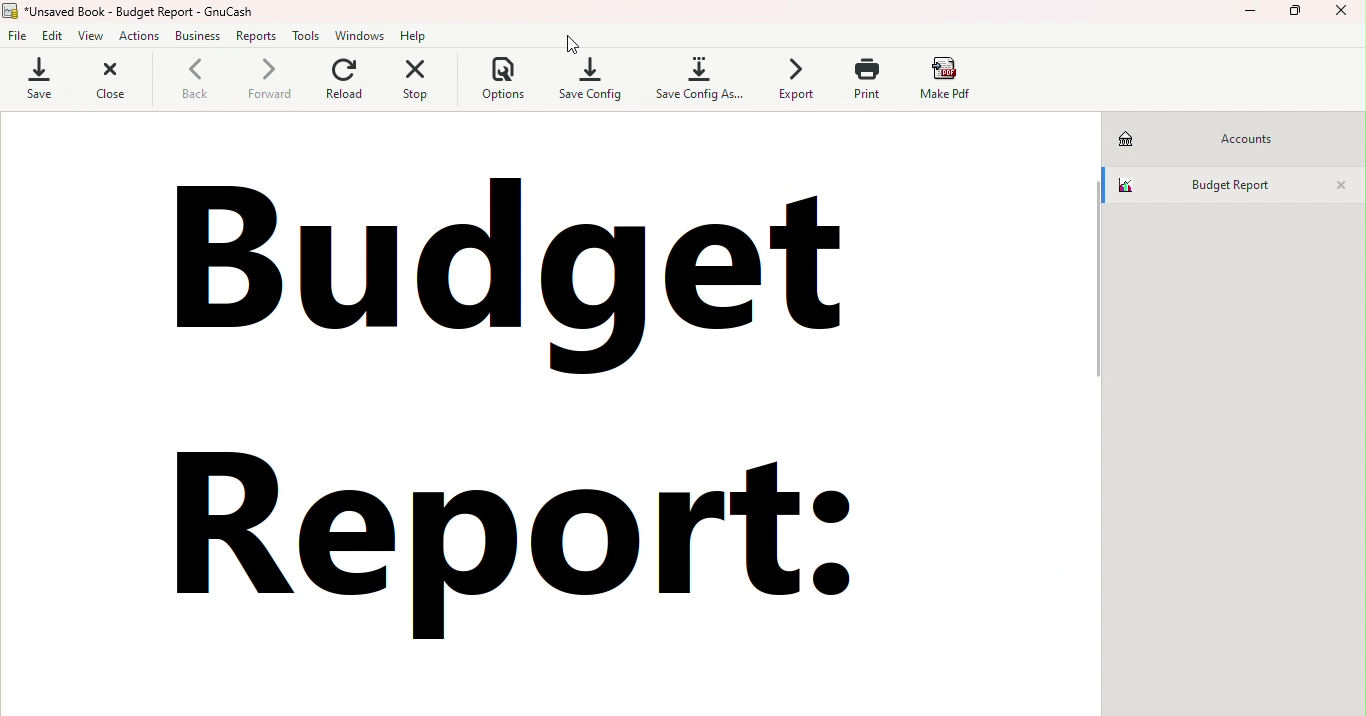  Describe the element at coordinates (792, 81) in the screenshot. I see `Export` at that location.